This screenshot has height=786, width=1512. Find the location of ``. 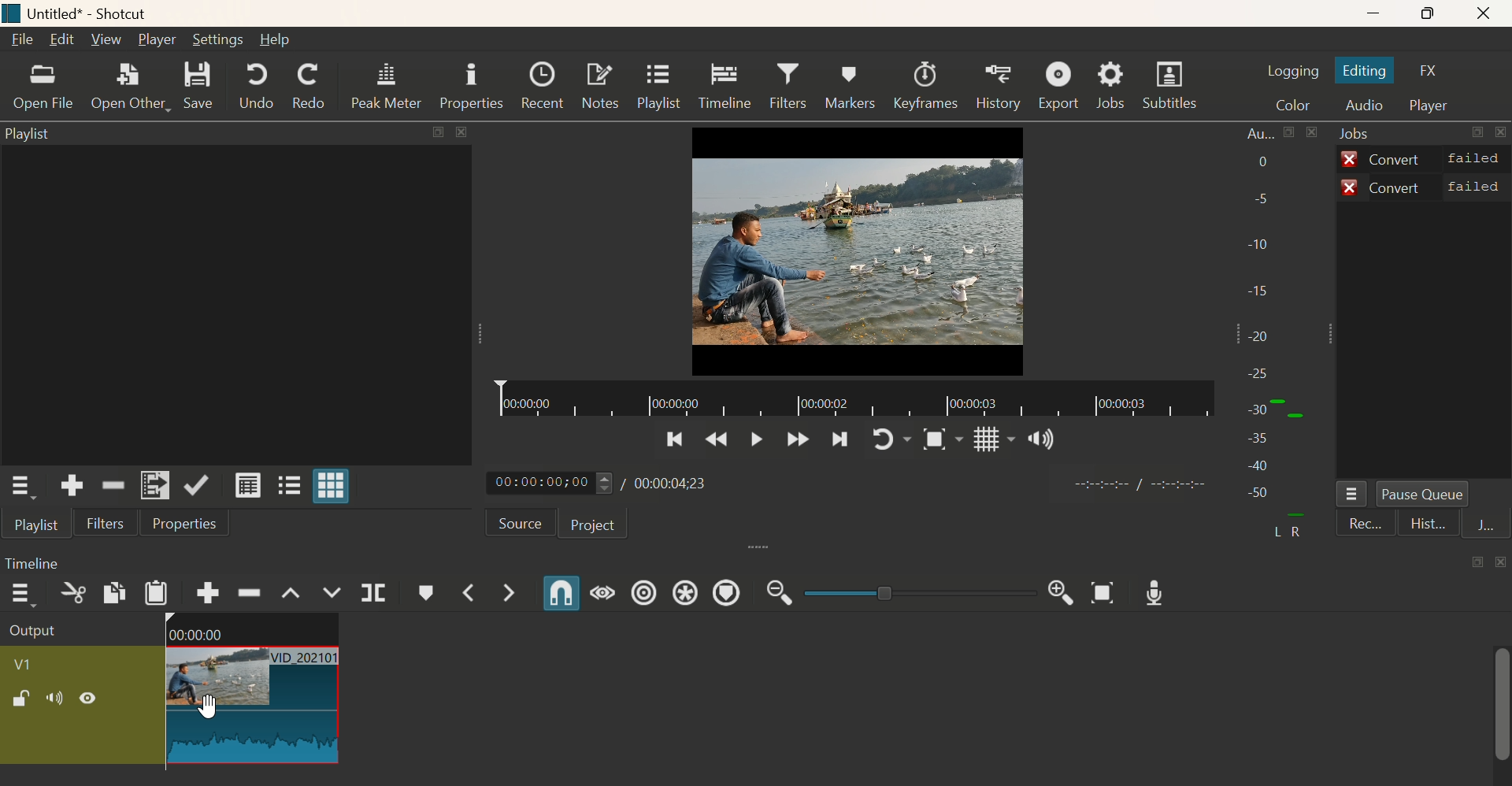

 is located at coordinates (163, 38).